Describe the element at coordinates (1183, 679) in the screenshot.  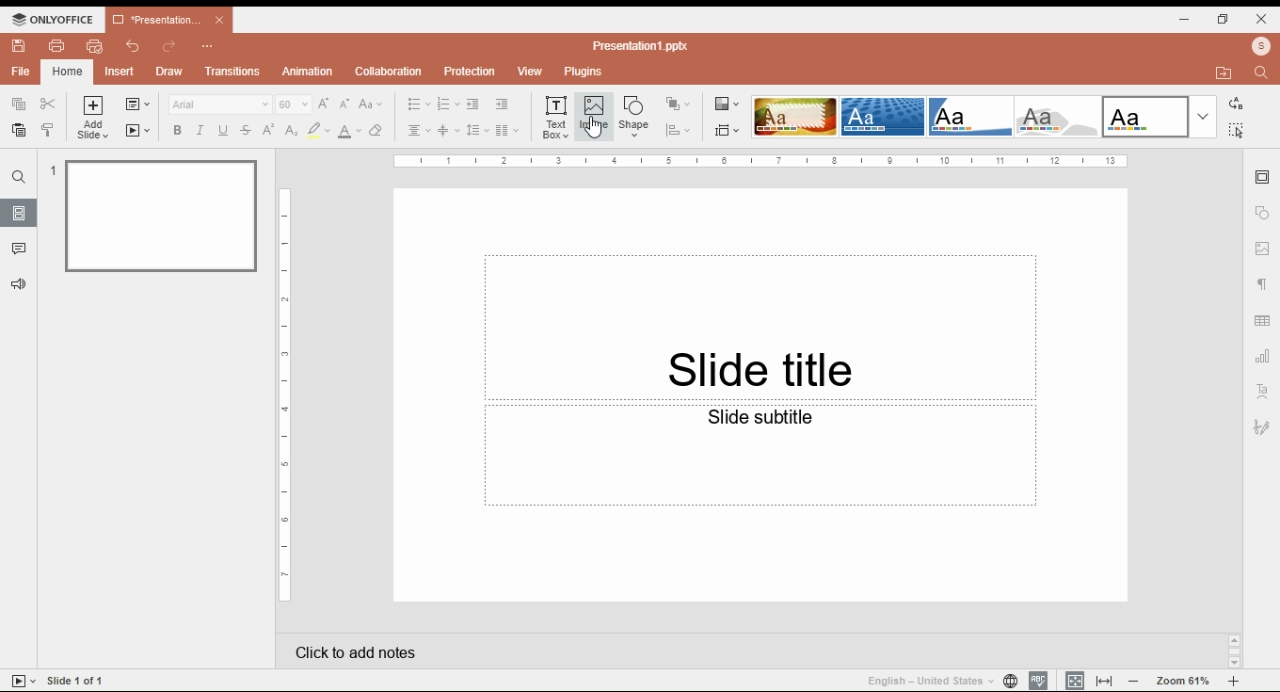
I see `zoom in/zoom out` at that location.